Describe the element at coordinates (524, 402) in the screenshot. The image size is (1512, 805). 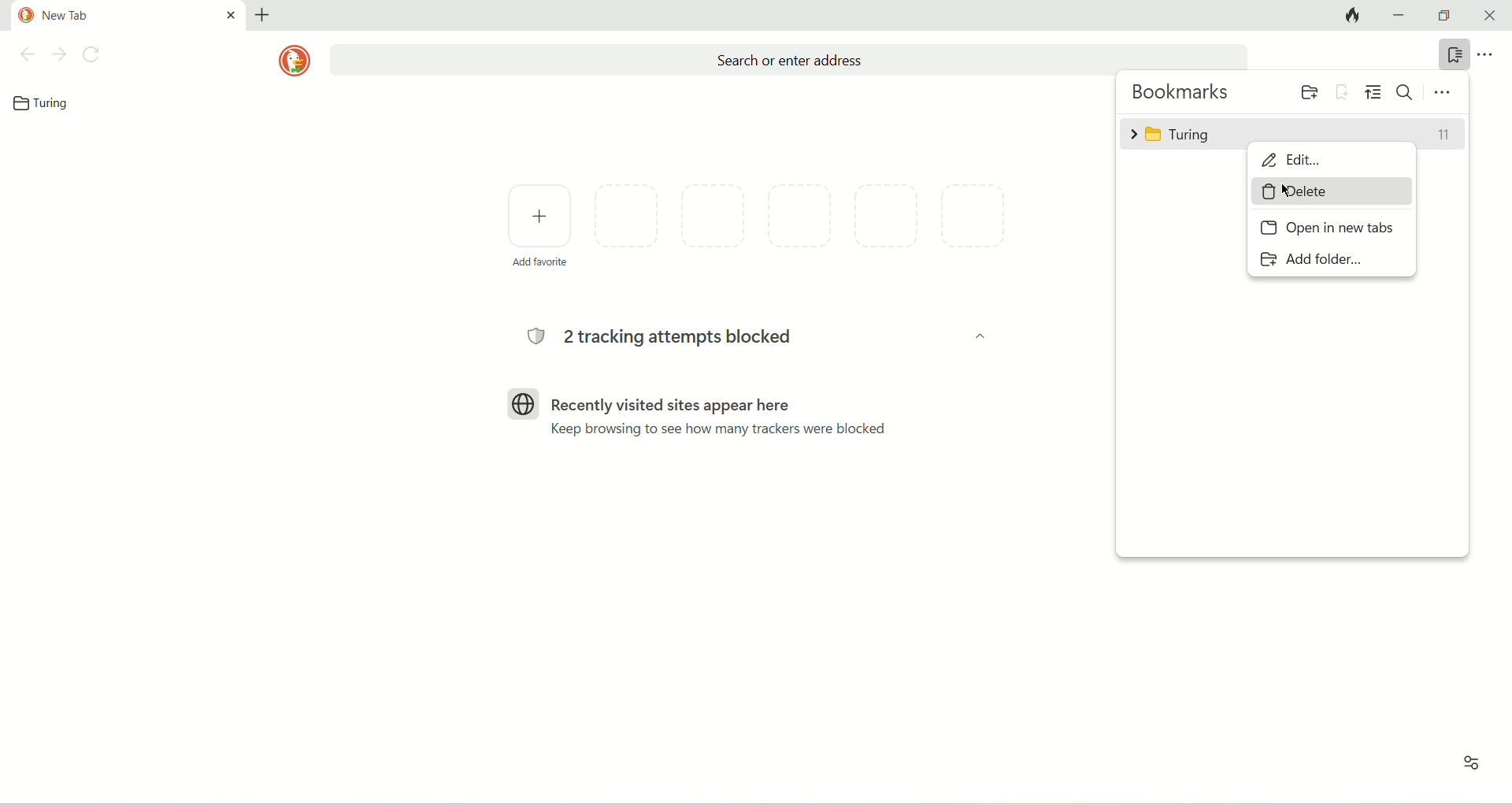
I see `Logo` at that location.